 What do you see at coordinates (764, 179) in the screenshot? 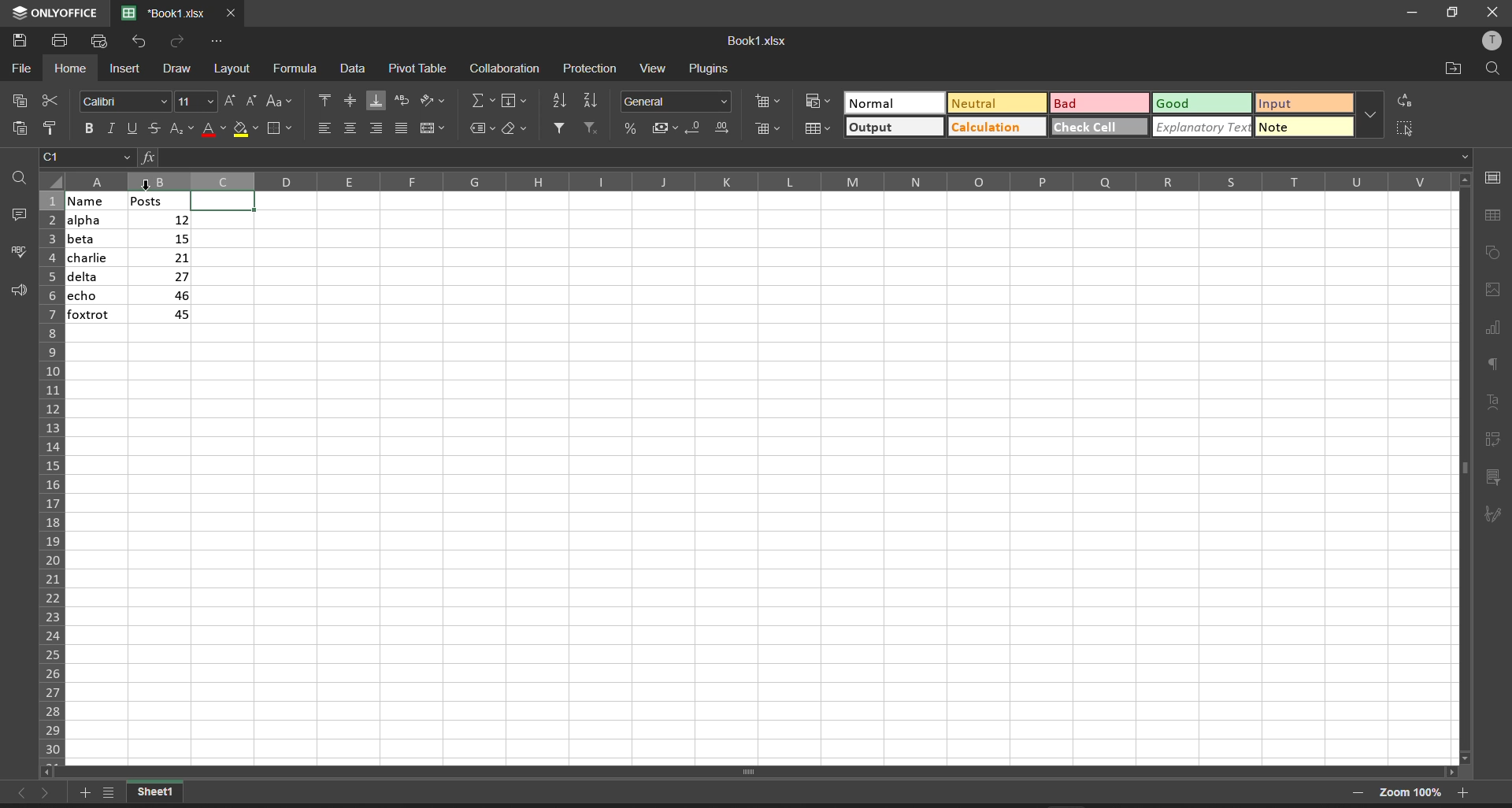
I see `column name` at bounding box center [764, 179].